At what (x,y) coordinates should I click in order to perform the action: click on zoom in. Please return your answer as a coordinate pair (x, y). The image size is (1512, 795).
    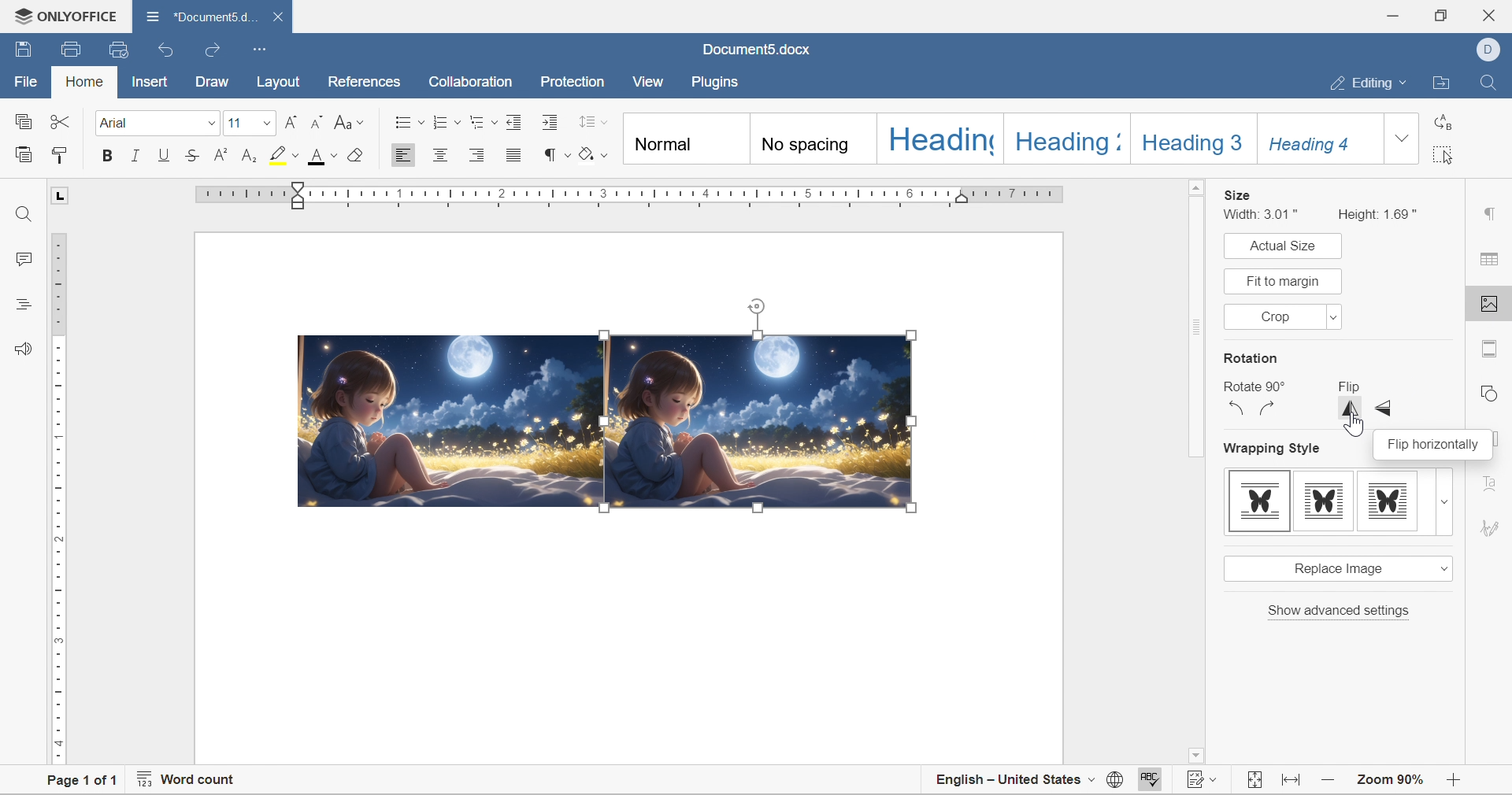
    Looking at the image, I should click on (1329, 781).